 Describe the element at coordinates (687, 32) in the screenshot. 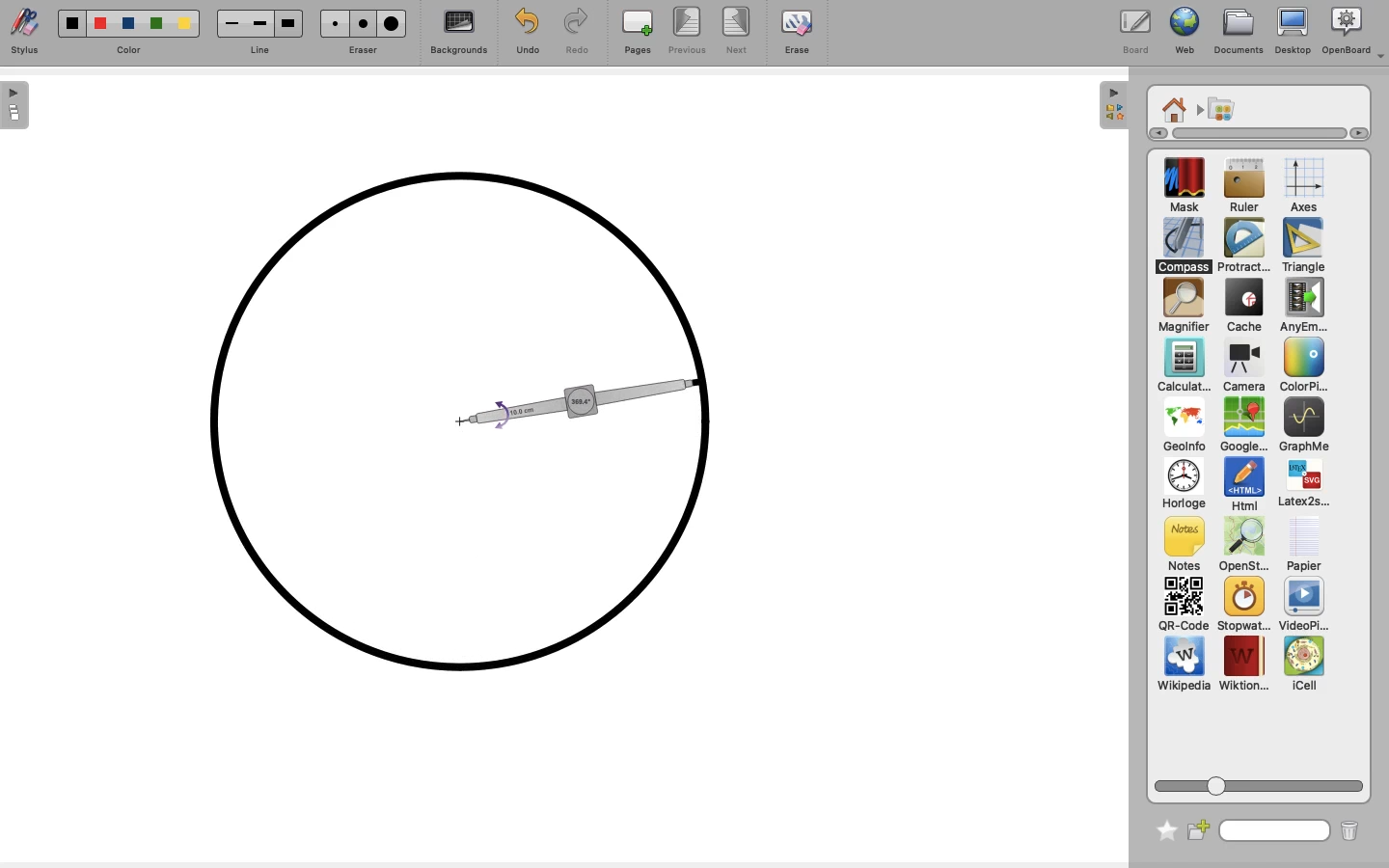

I see `Previous` at that location.